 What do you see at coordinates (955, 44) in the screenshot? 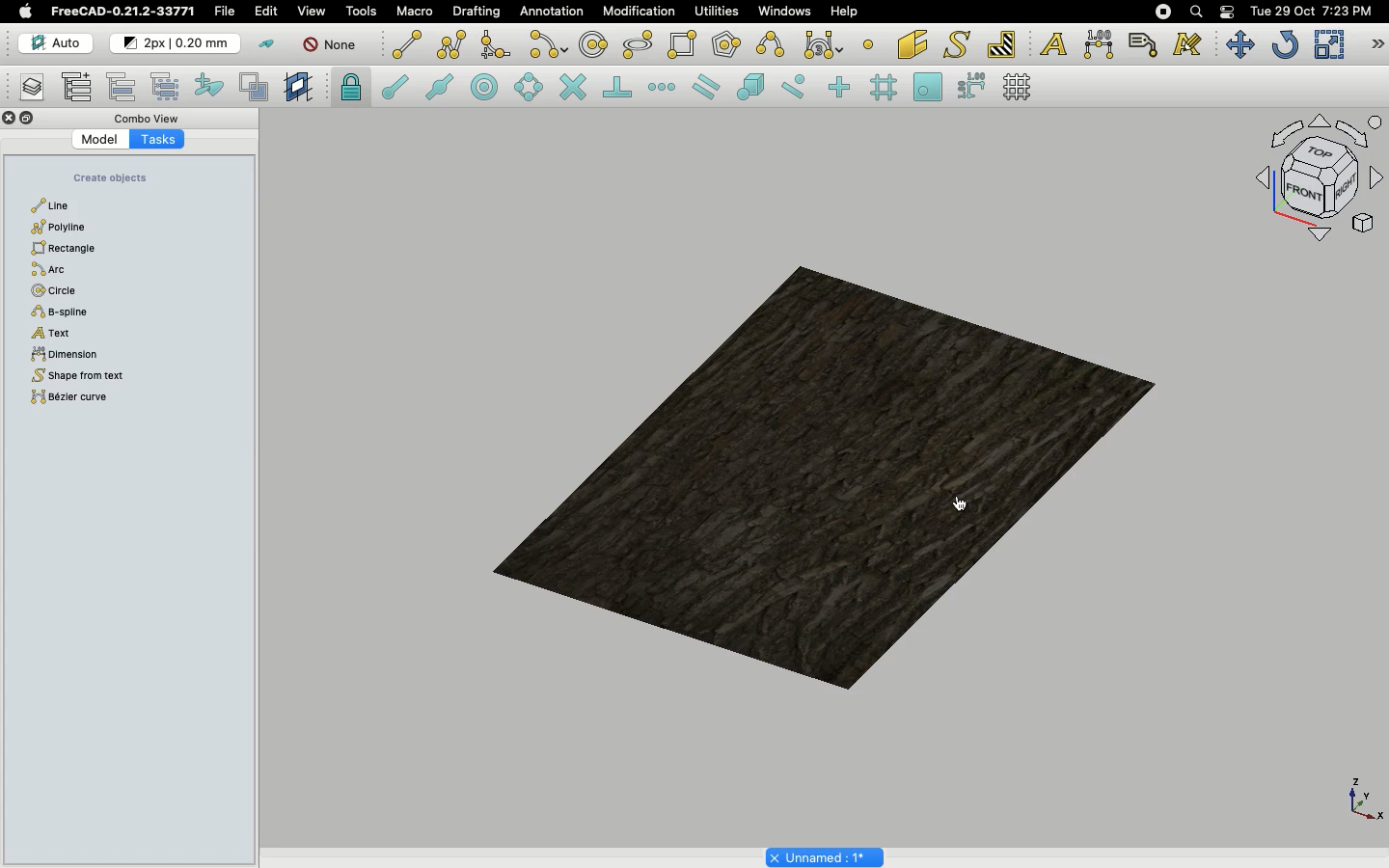
I see `Shape from text` at bounding box center [955, 44].